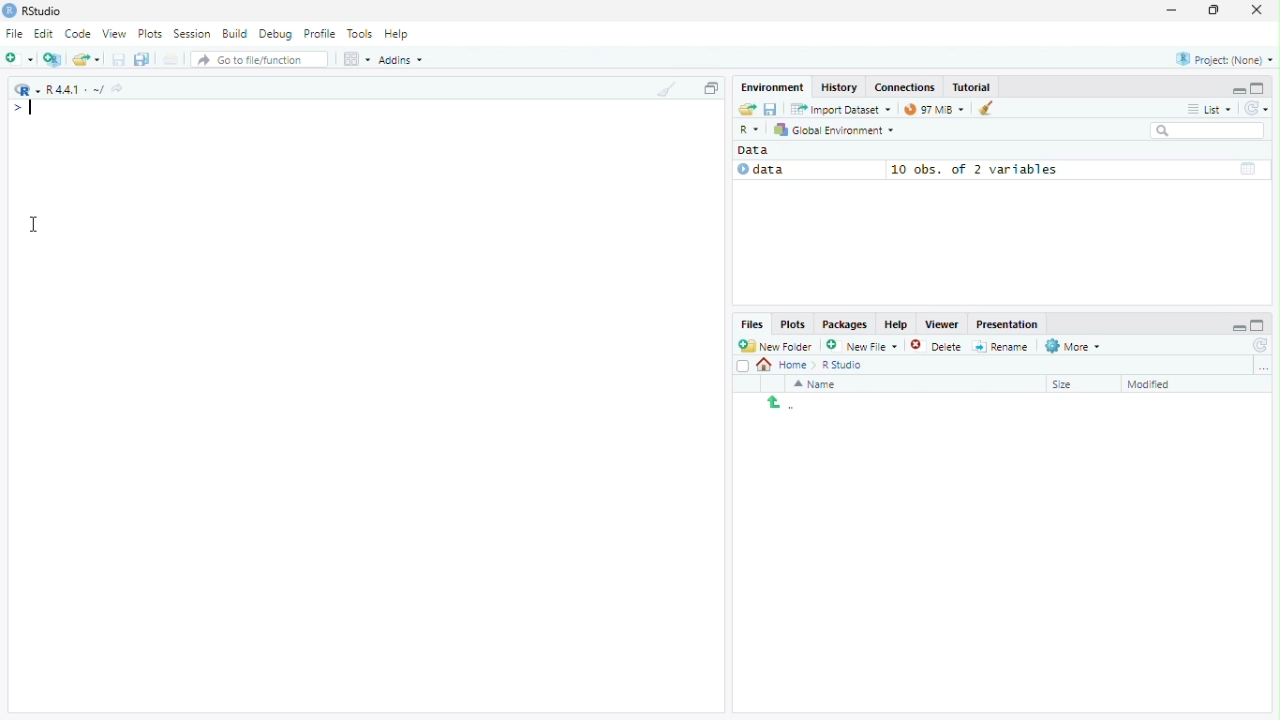 The height and width of the screenshot is (720, 1280). Describe the element at coordinates (53, 59) in the screenshot. I see `create a project` at that location.